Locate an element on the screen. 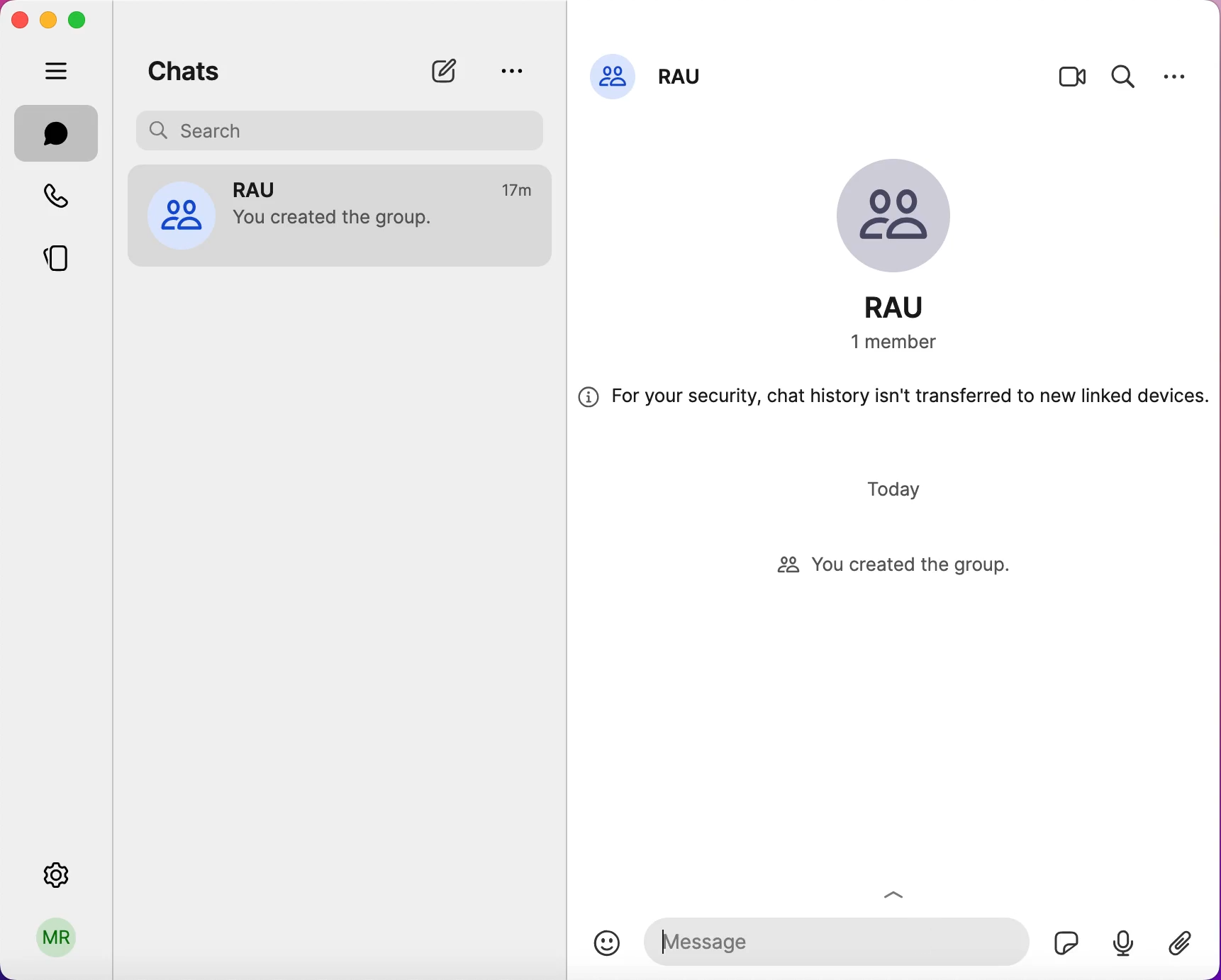 The height and width of the screenshot is (980, 1221). attach is located at coordinates (1187, 945).